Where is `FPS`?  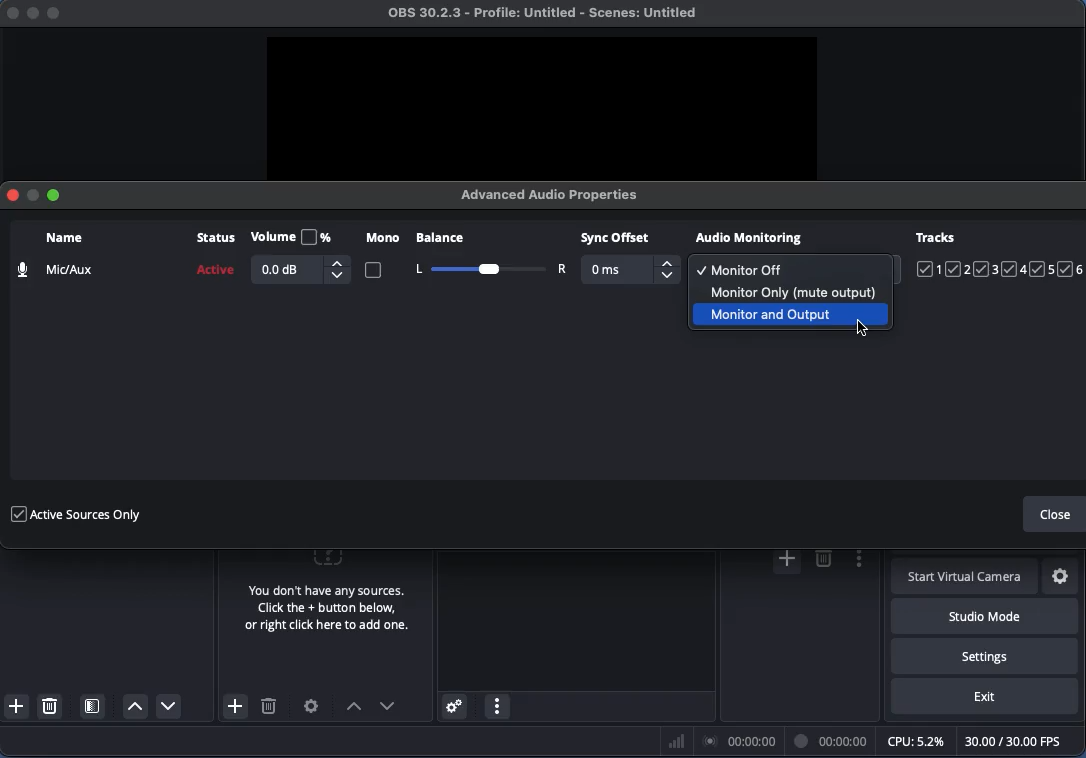
FPS is located at coordinates (1022, 741).